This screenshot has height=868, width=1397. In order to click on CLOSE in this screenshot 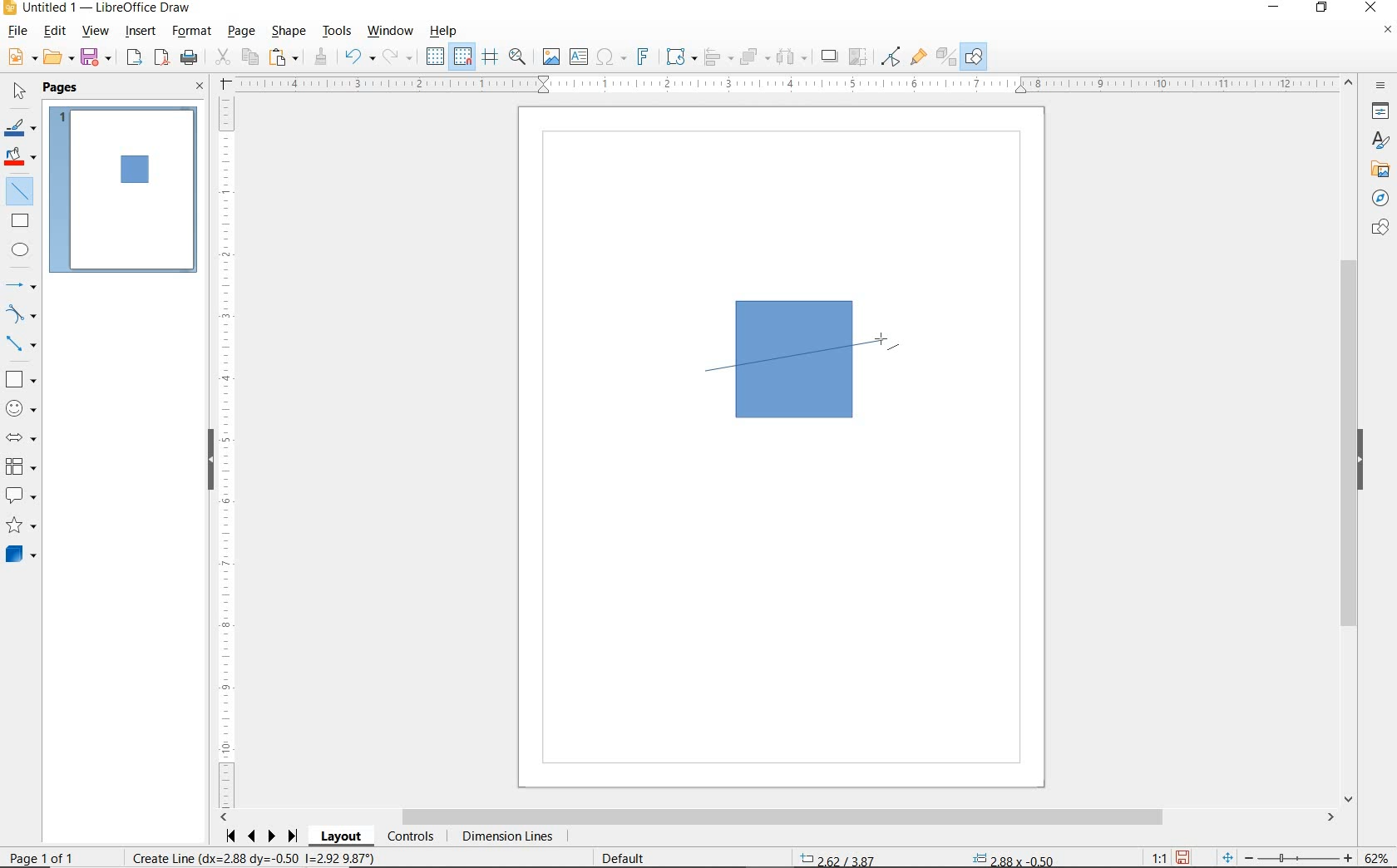, I will do `click(200, 87)`.